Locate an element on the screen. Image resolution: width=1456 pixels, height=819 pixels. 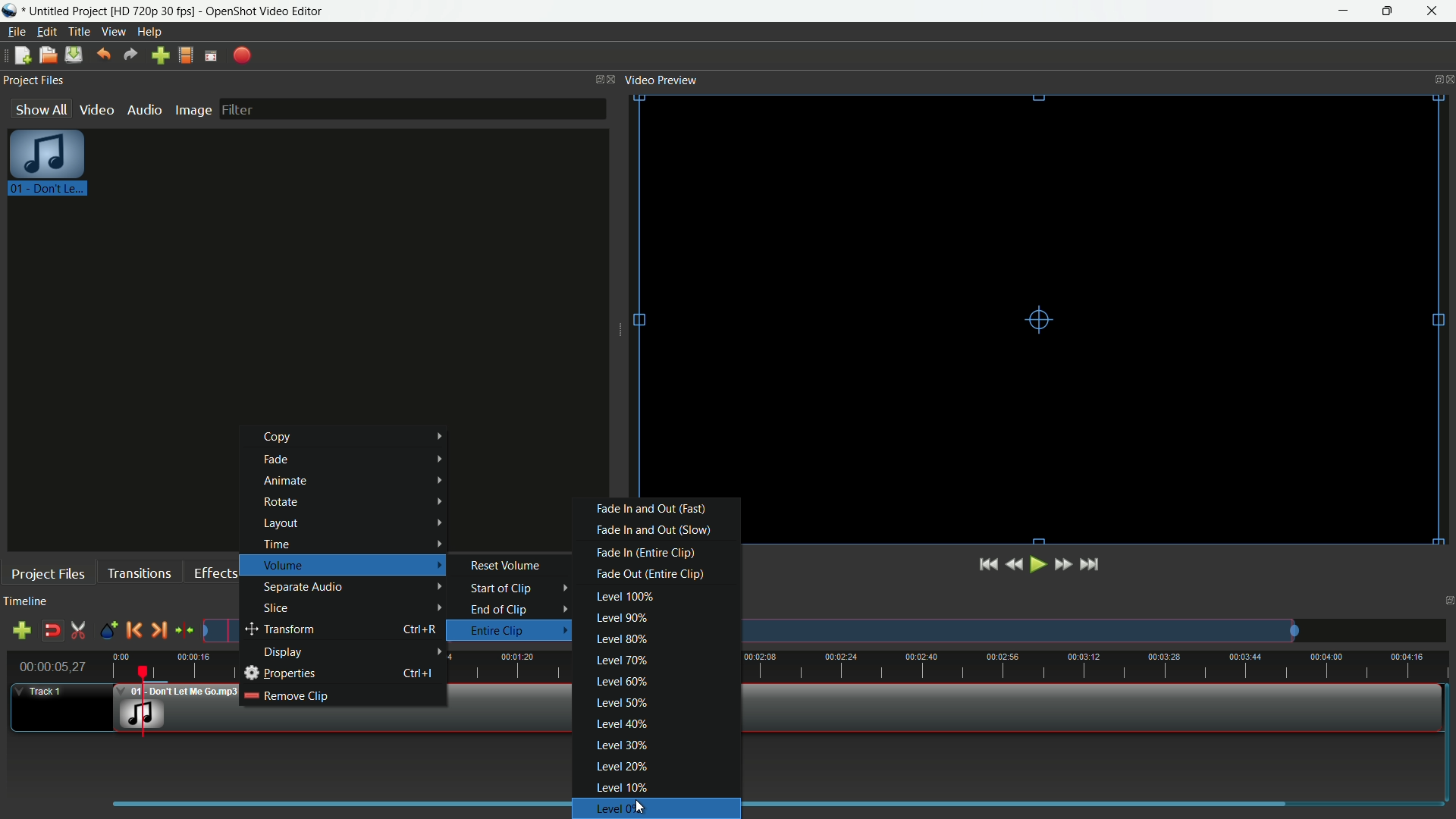
import file is located at coordinates (162, 56).